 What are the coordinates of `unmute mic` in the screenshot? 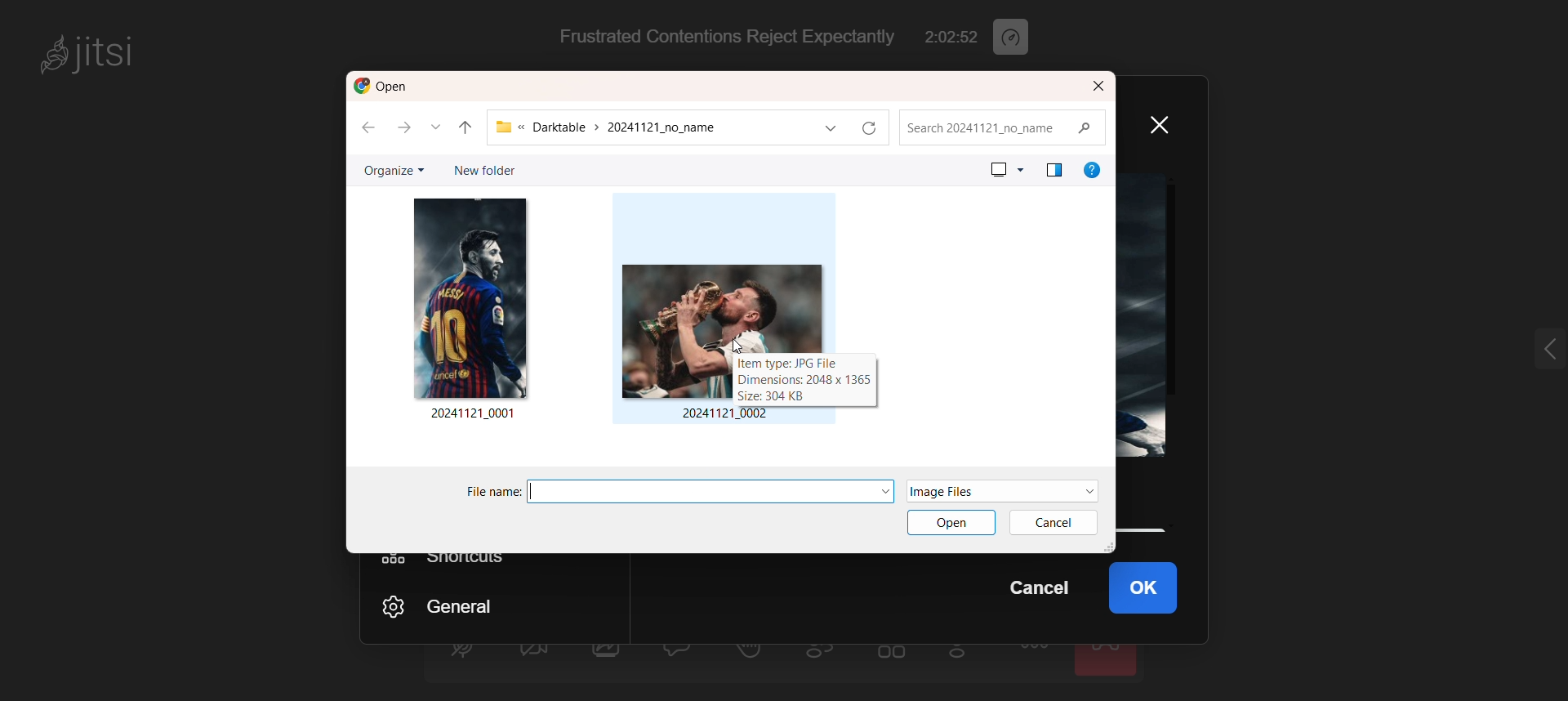 It's located at (461, 654).